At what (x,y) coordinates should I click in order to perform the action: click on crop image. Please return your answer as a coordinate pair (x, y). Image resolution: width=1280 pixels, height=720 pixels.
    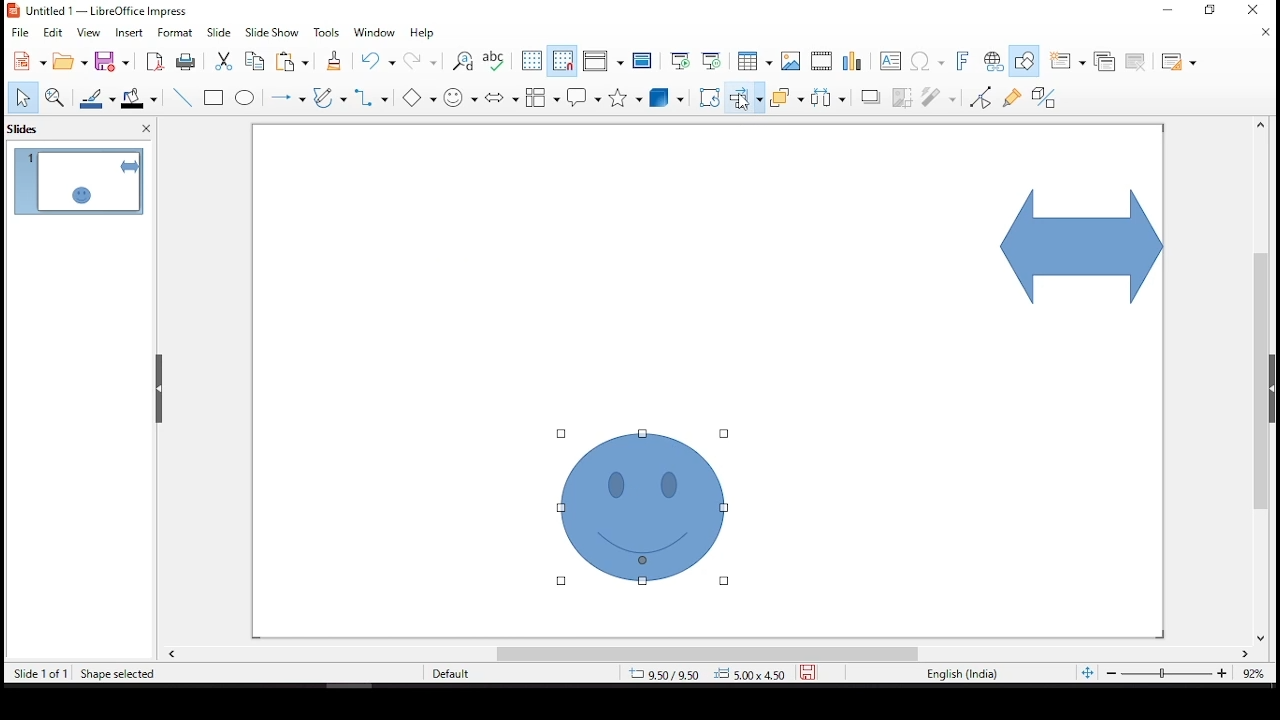
    Looking at the image, I should click on (898, 96).